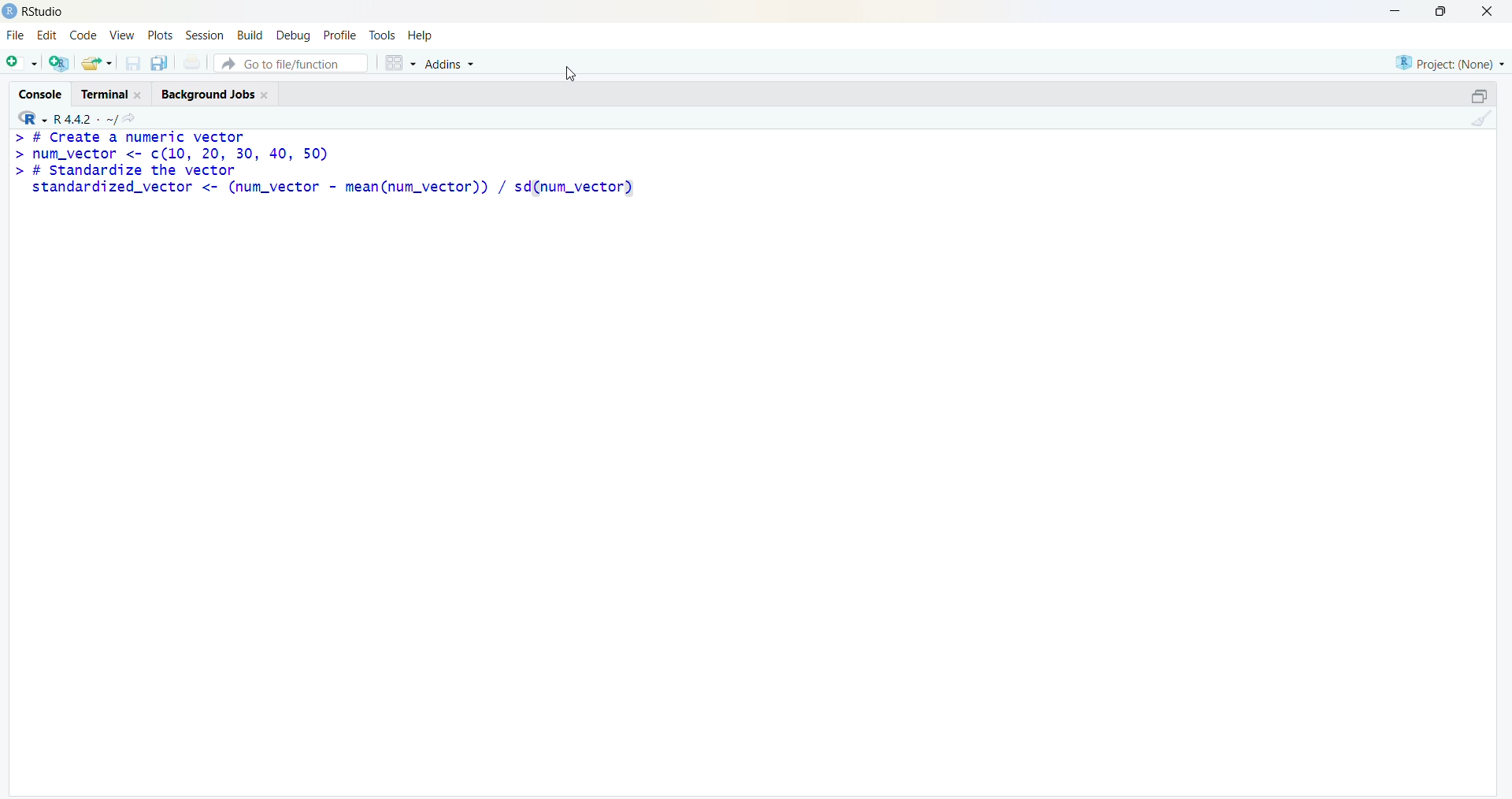 This screenshot has height=799, width=1512. Describe the element at coordinates (1488, 11) in the screenshot. I see `close` at that location.